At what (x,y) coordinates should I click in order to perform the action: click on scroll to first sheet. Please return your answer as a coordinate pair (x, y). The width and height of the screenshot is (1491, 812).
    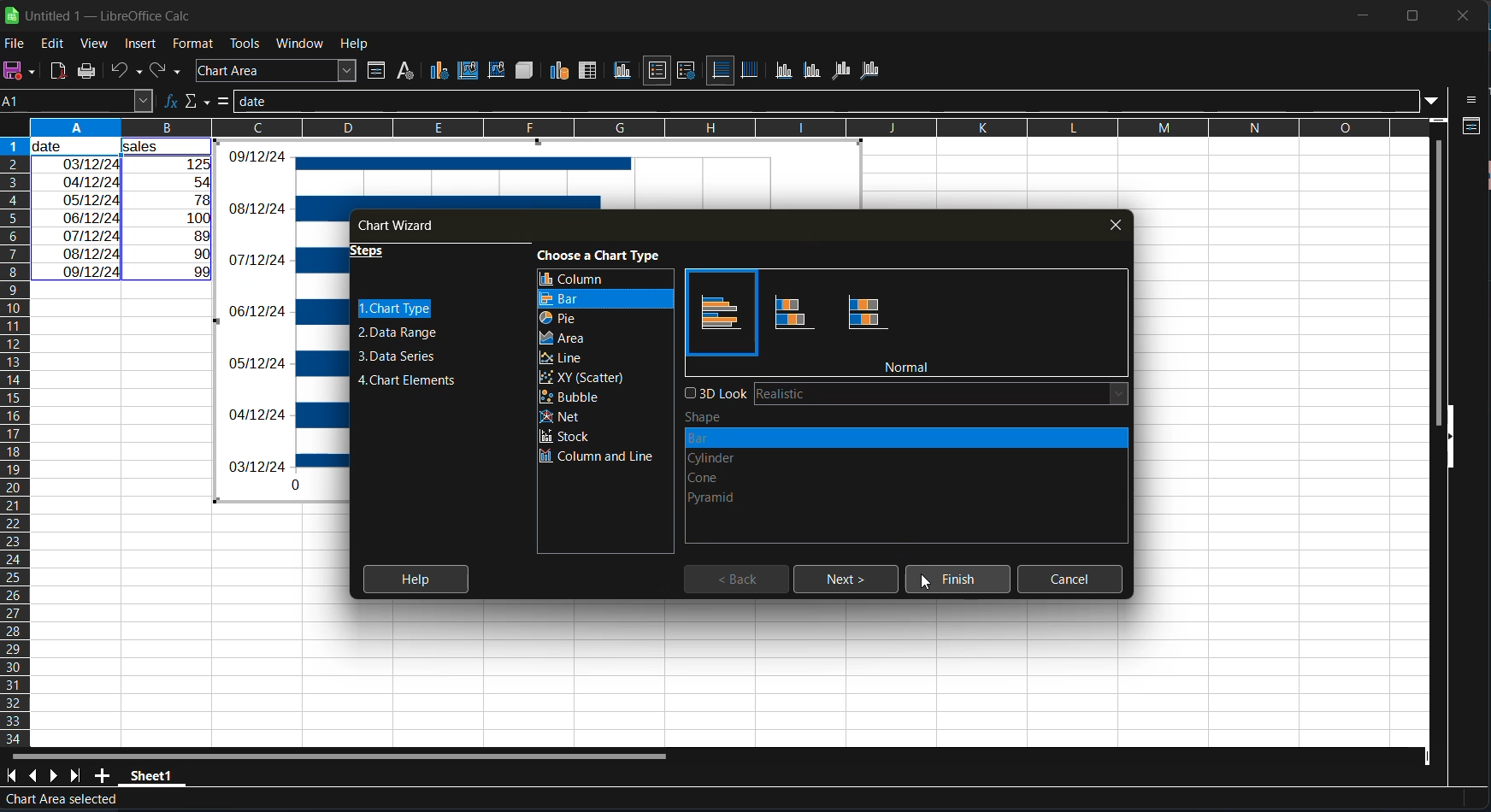
    Looking at the image, I should click on (10, 775).